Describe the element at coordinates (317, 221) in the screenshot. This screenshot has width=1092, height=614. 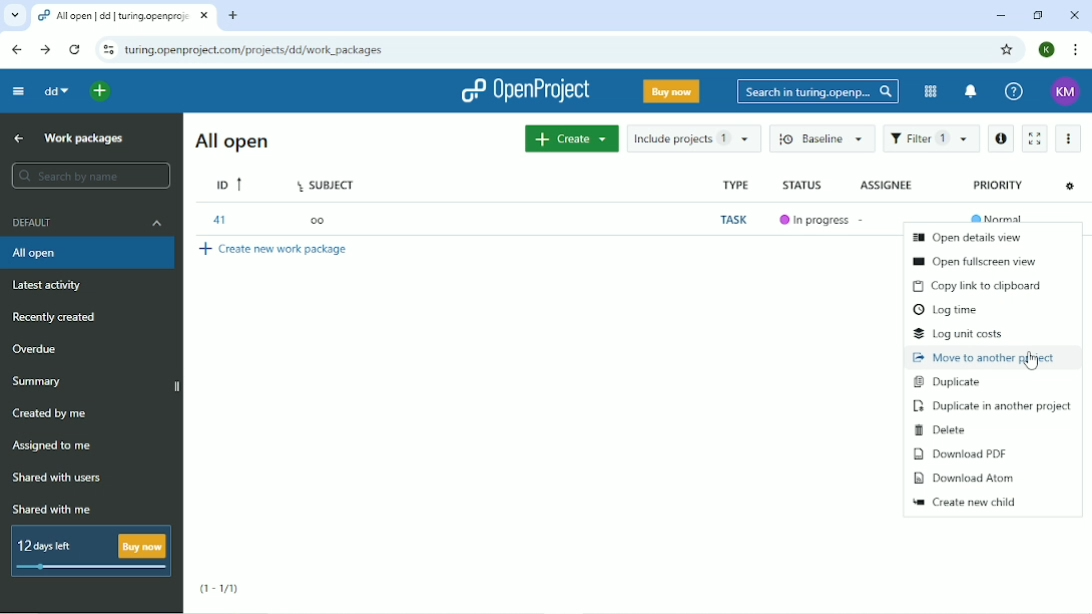
I see `oo` at that location.